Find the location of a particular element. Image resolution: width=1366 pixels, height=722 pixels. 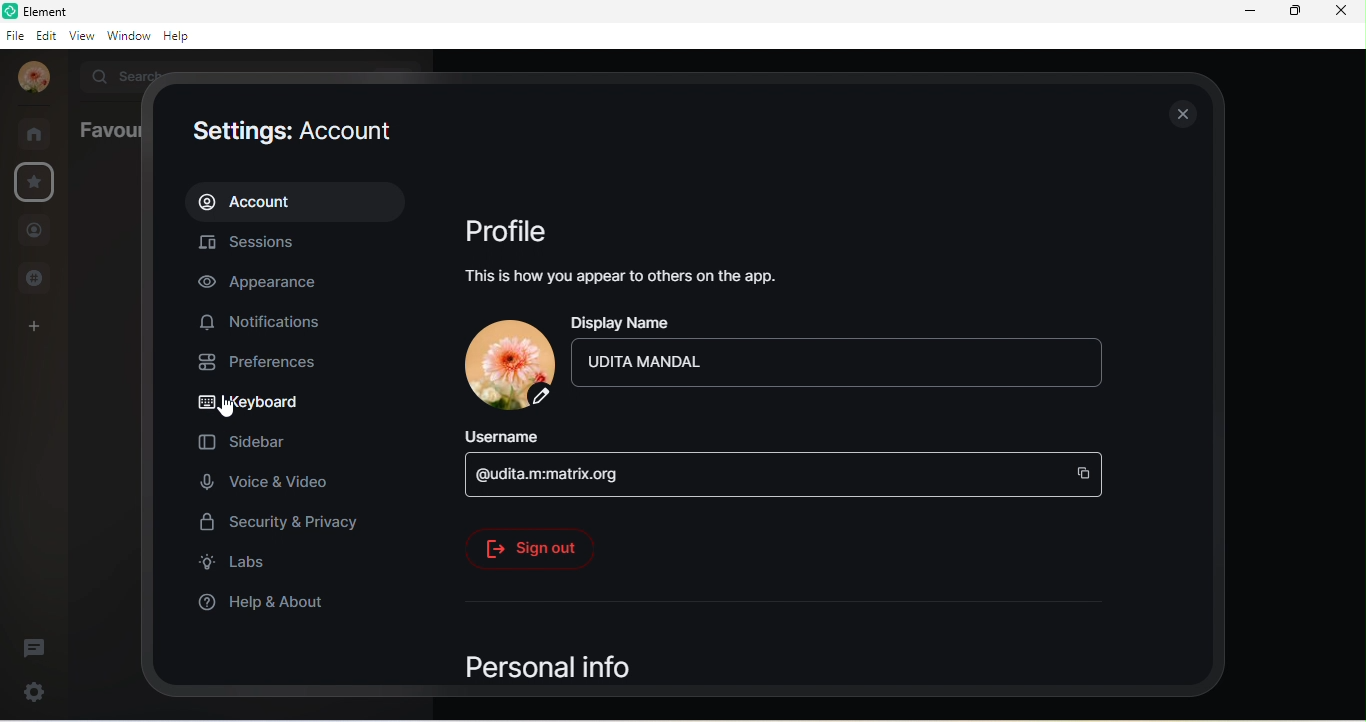

username is located at coordinates (516, 435).